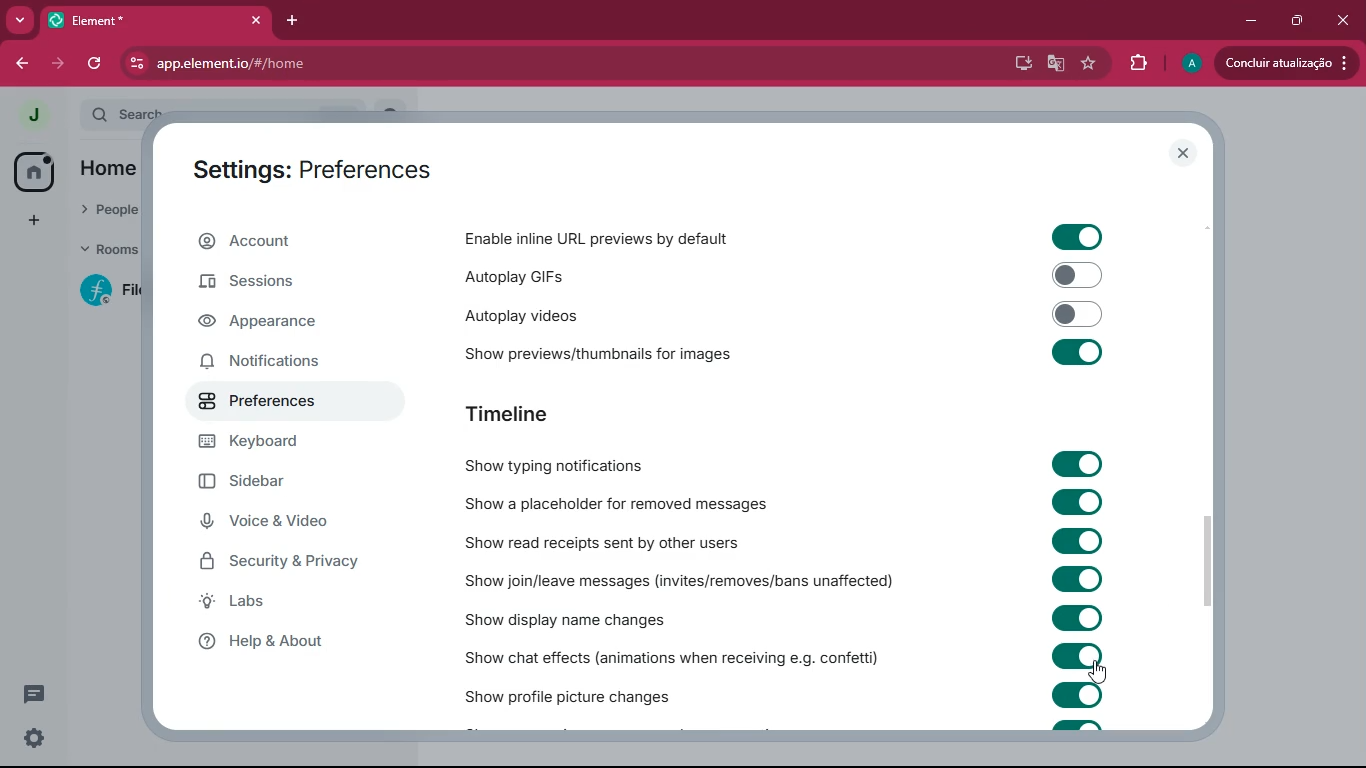  Describe the element at coordinates (1078, 578) in the screenshot. I see `toggle on/off` at that location.